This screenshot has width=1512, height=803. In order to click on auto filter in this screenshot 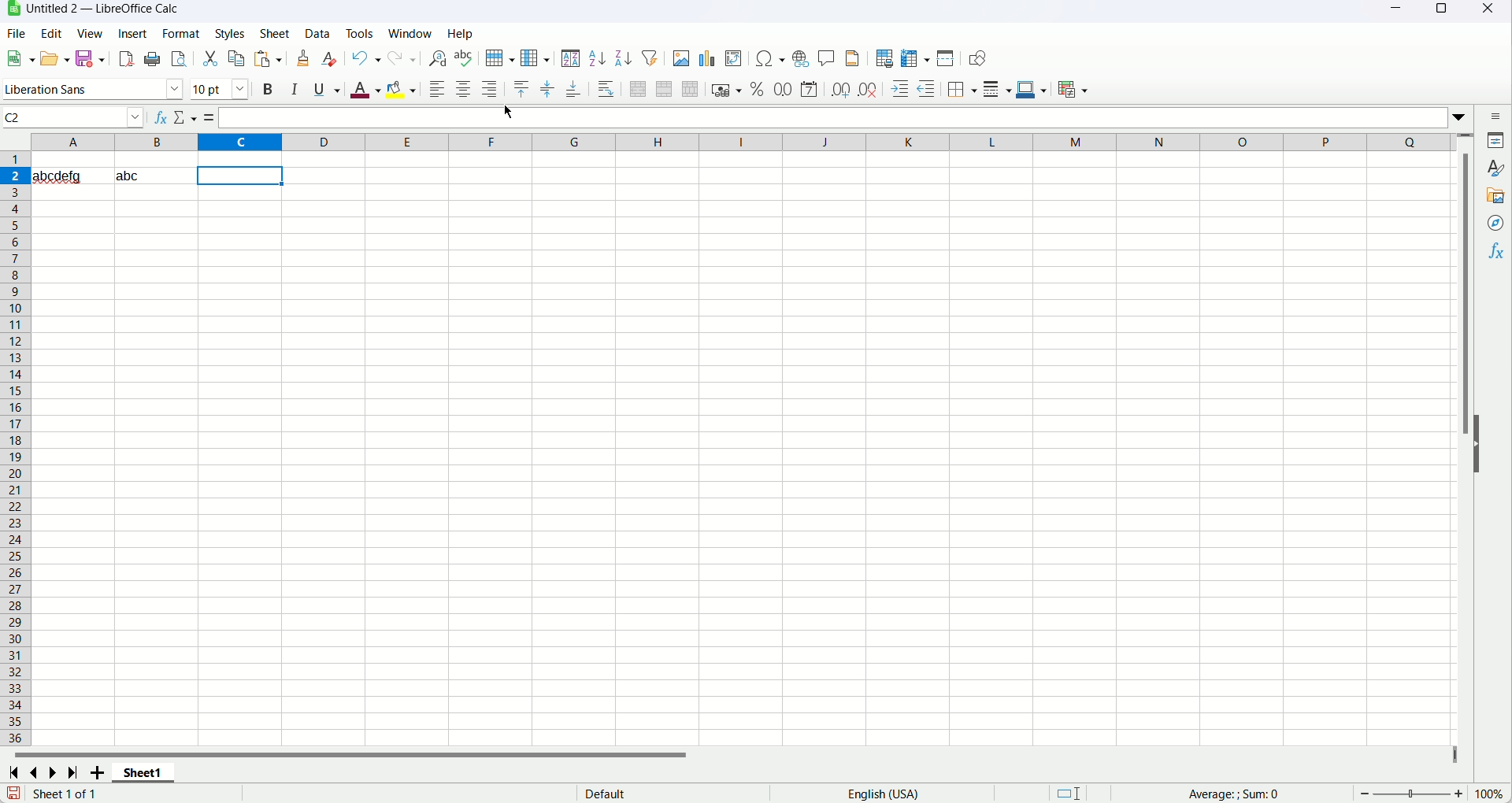, I will do `click(650, 58)`.